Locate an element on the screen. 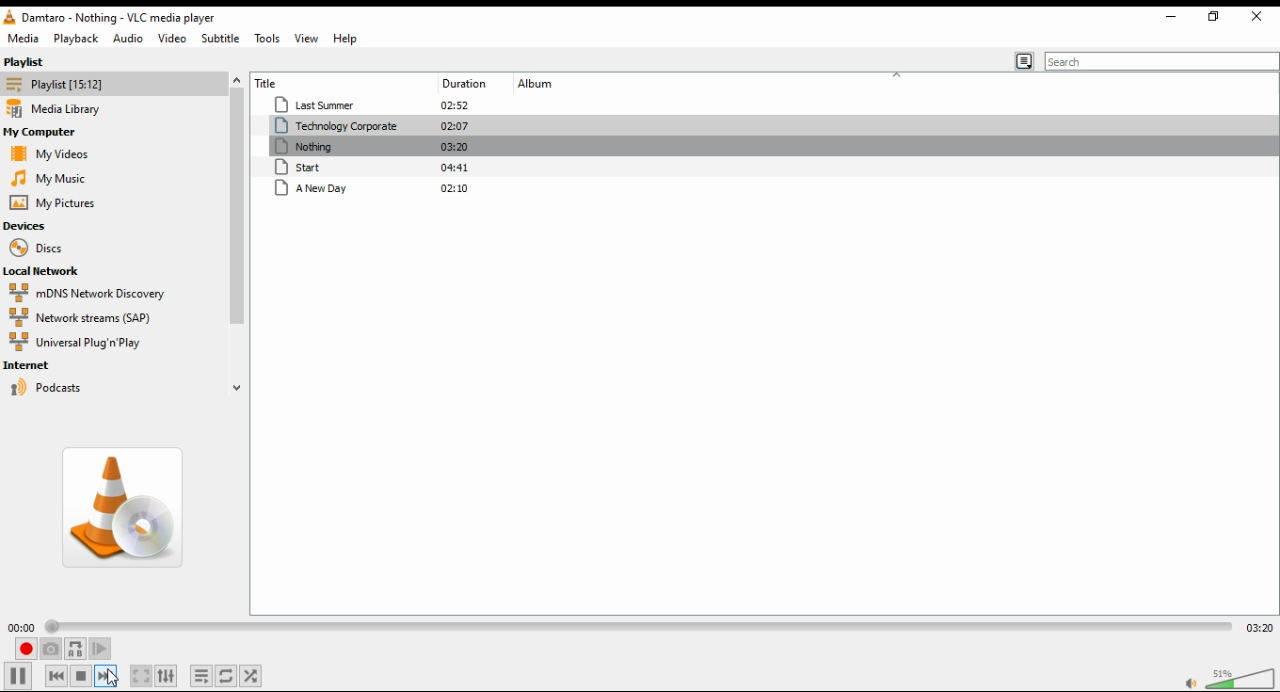  duration is located at coordinates (474, 82).